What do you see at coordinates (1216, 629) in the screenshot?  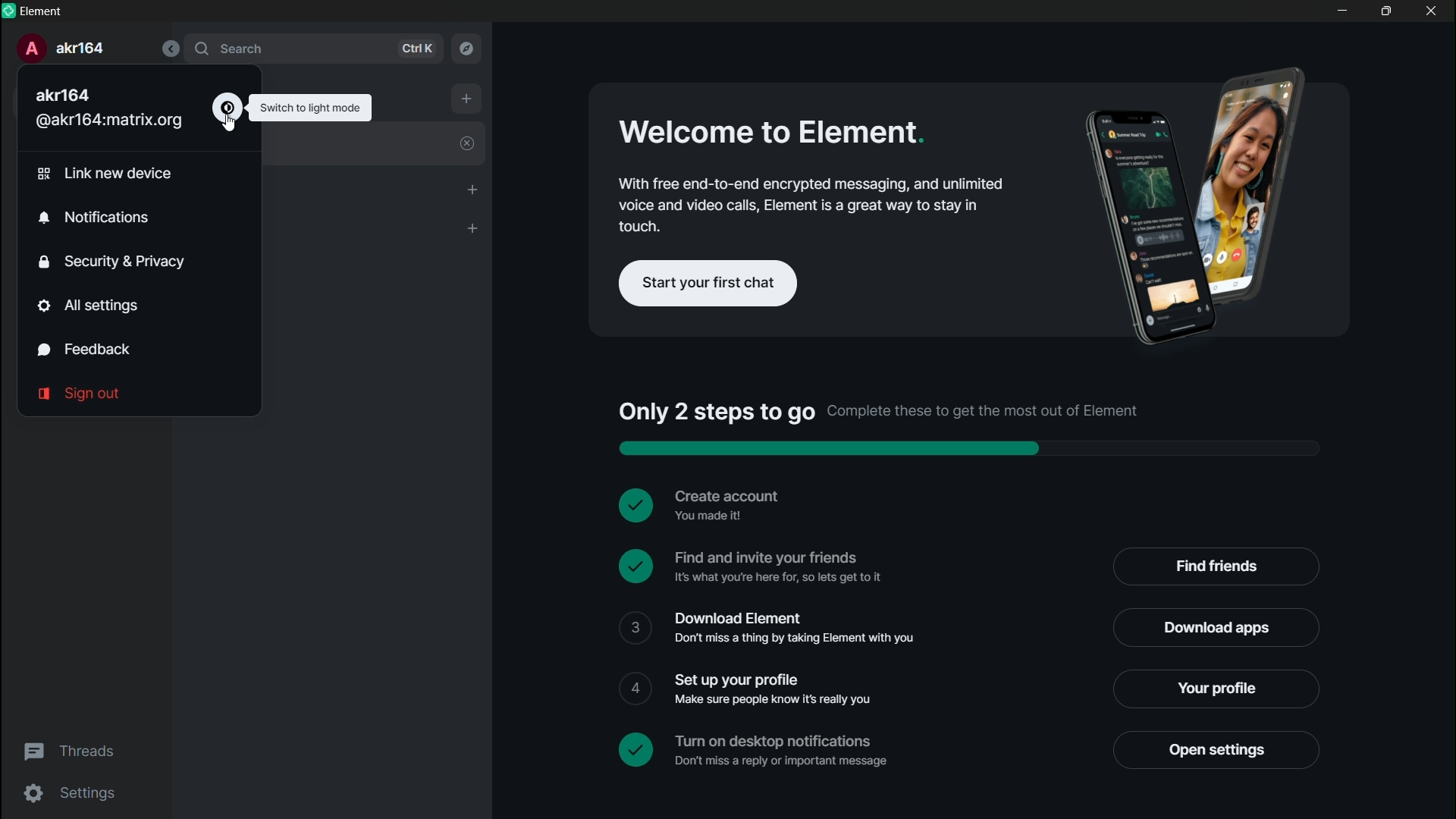 I see `download apps` at bounding box center [1216, 629].